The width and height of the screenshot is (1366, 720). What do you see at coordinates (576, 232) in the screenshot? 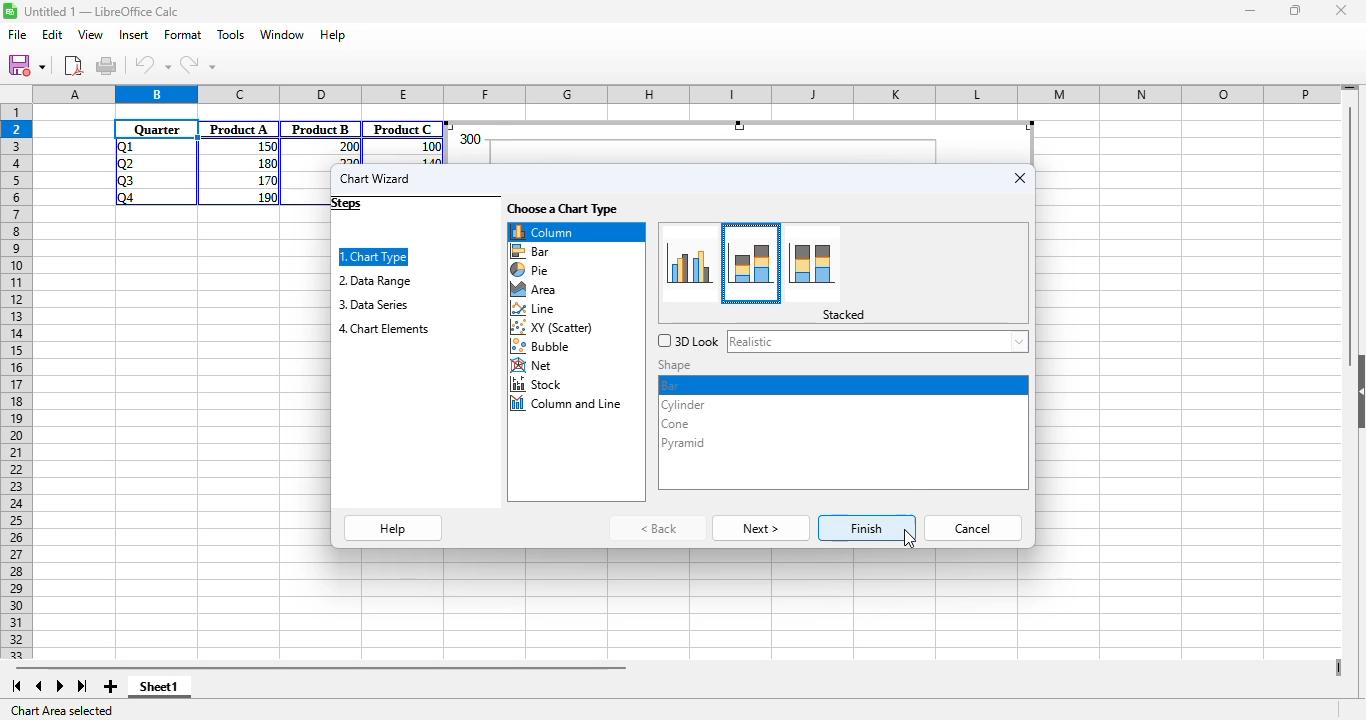
I see `column` at bounding box center [576, 232].